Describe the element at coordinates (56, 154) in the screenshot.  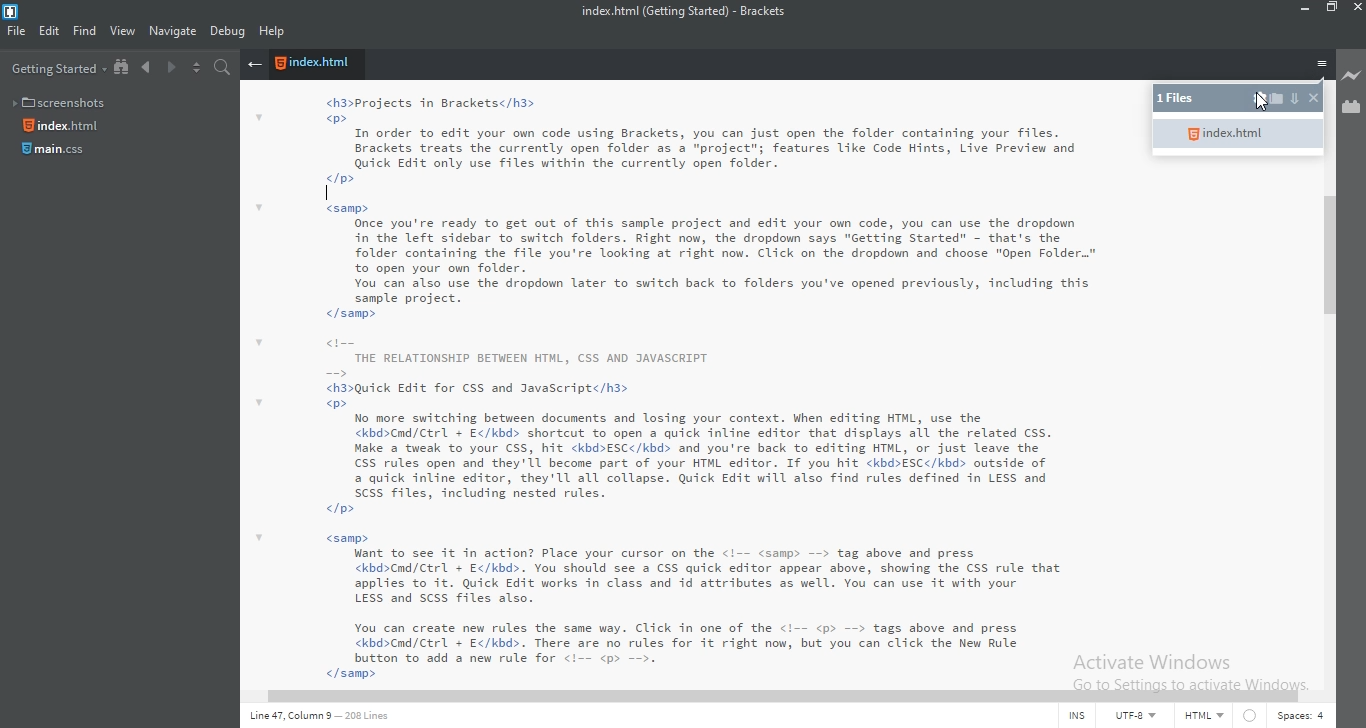
I see `main.css` at that location.